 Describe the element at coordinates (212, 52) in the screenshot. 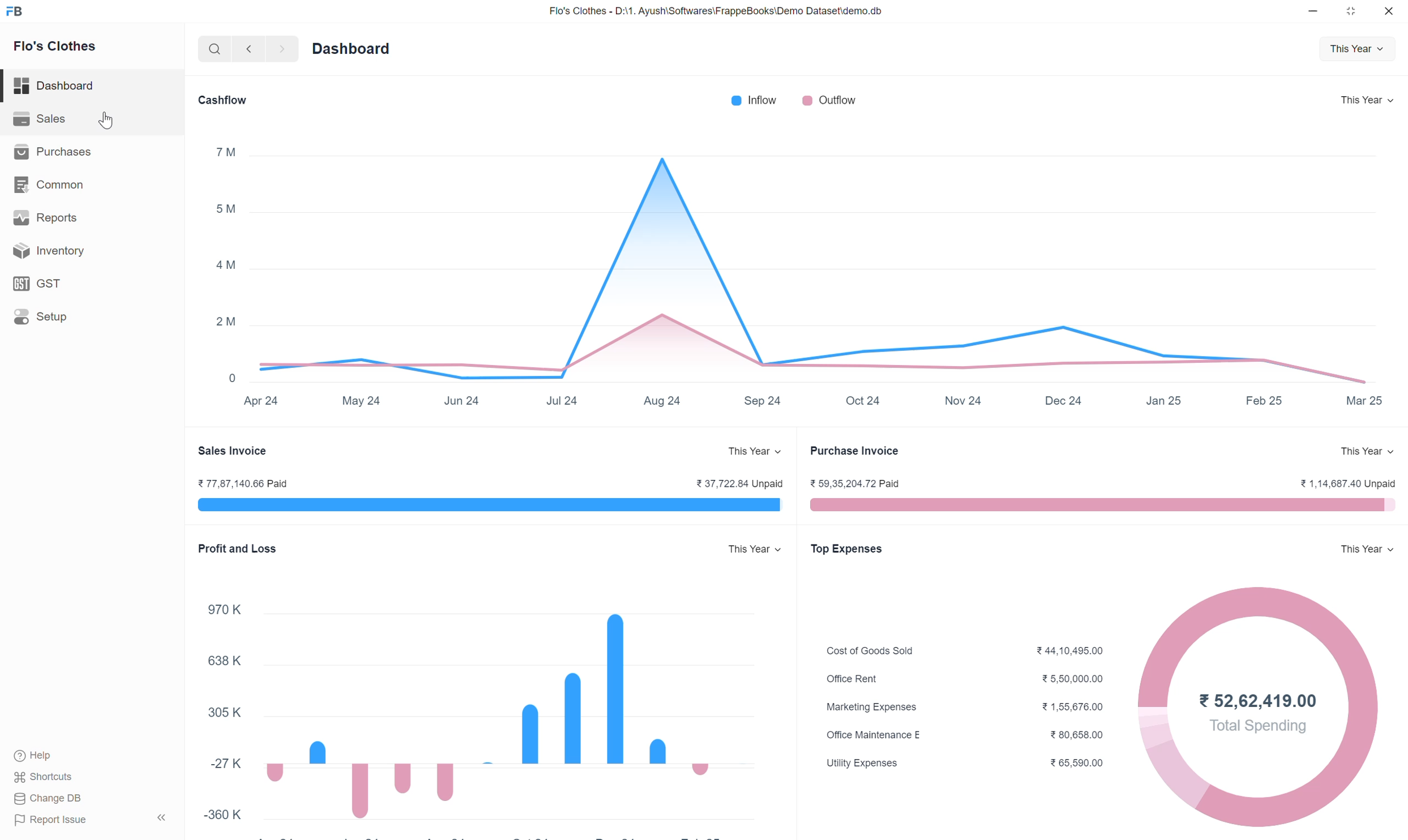

I see `search ` at that location.